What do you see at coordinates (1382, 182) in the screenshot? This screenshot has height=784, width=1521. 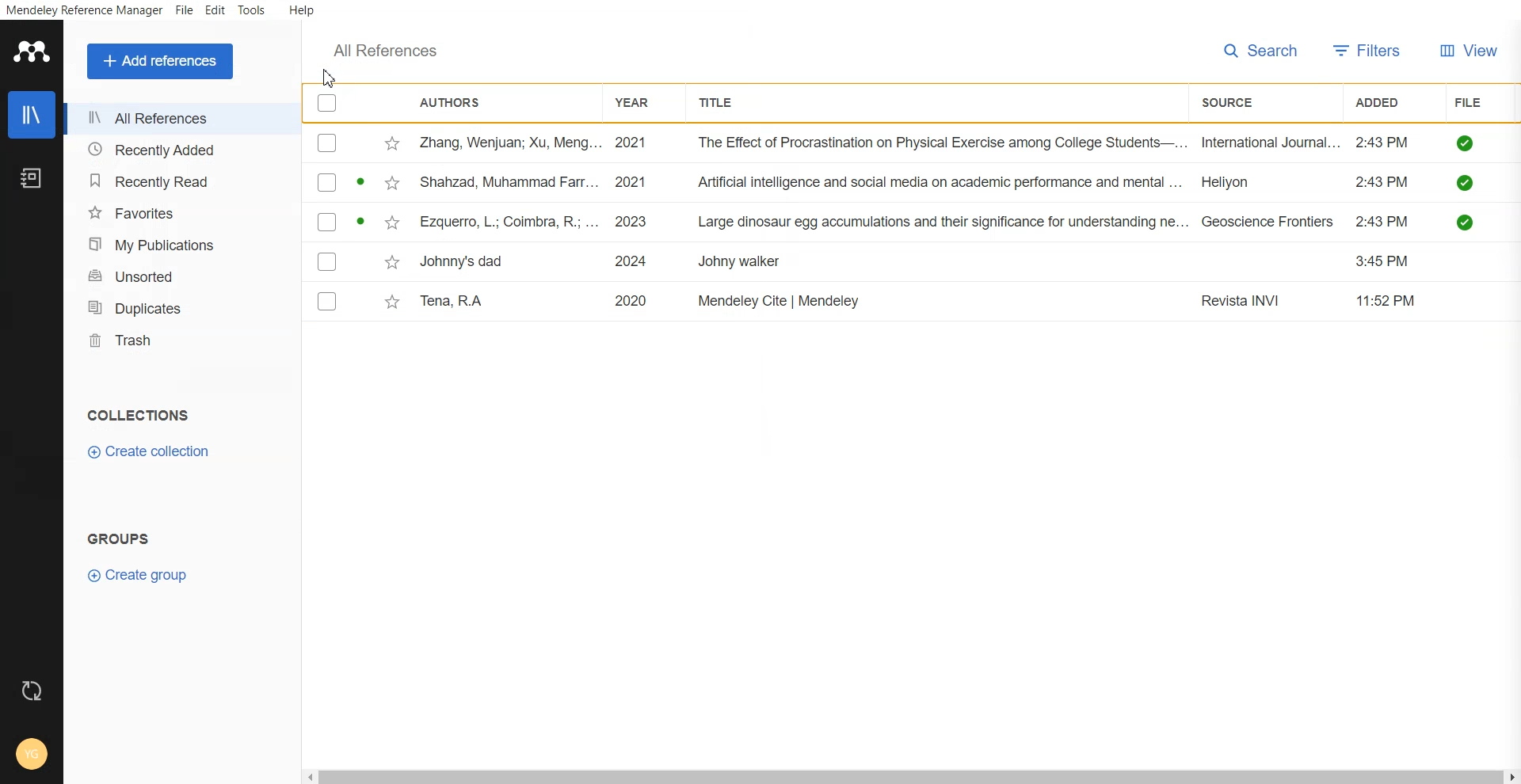 I see `2:43PM` at bounding box center [1382, 182].